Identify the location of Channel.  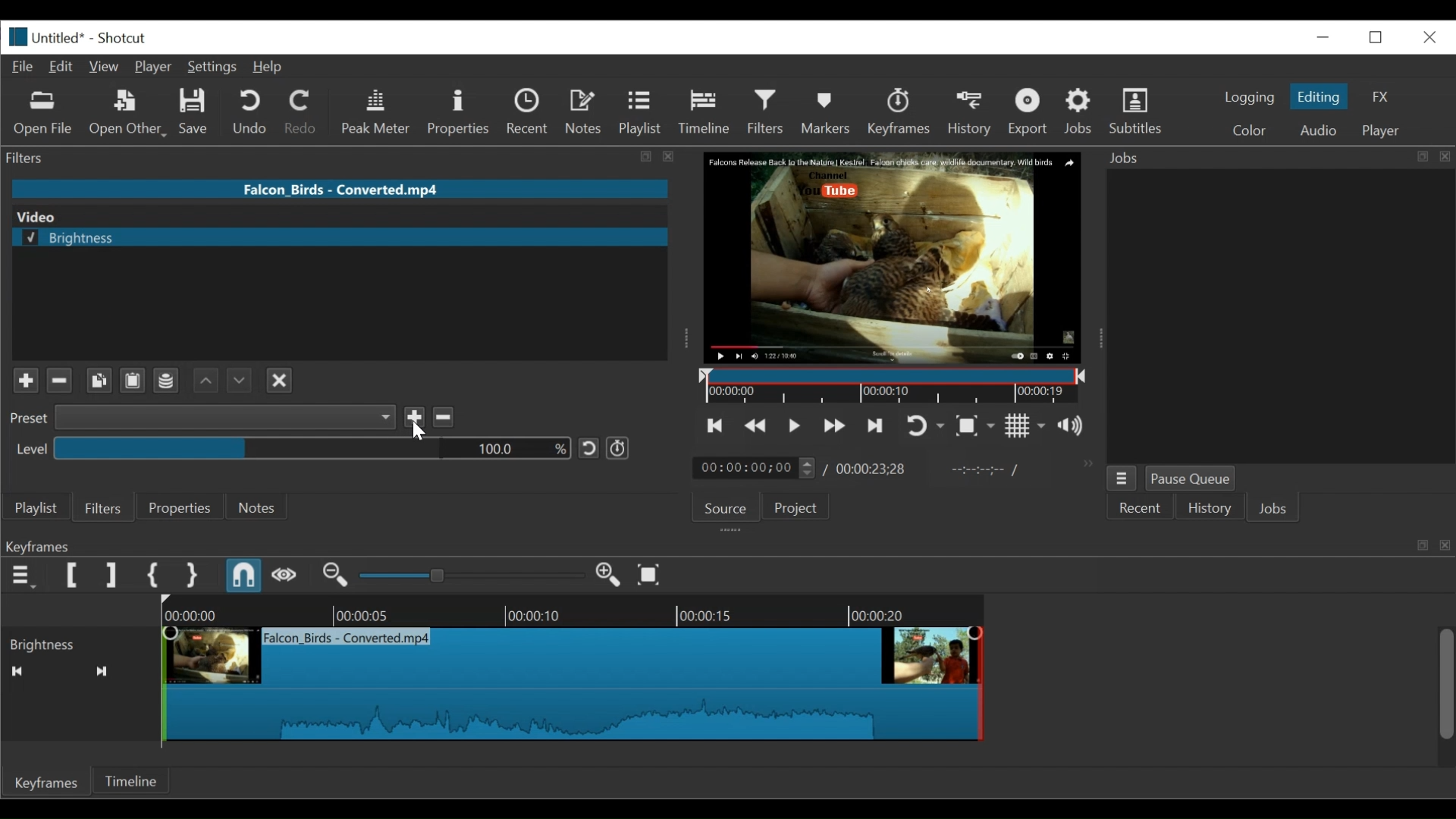
(166, 381).